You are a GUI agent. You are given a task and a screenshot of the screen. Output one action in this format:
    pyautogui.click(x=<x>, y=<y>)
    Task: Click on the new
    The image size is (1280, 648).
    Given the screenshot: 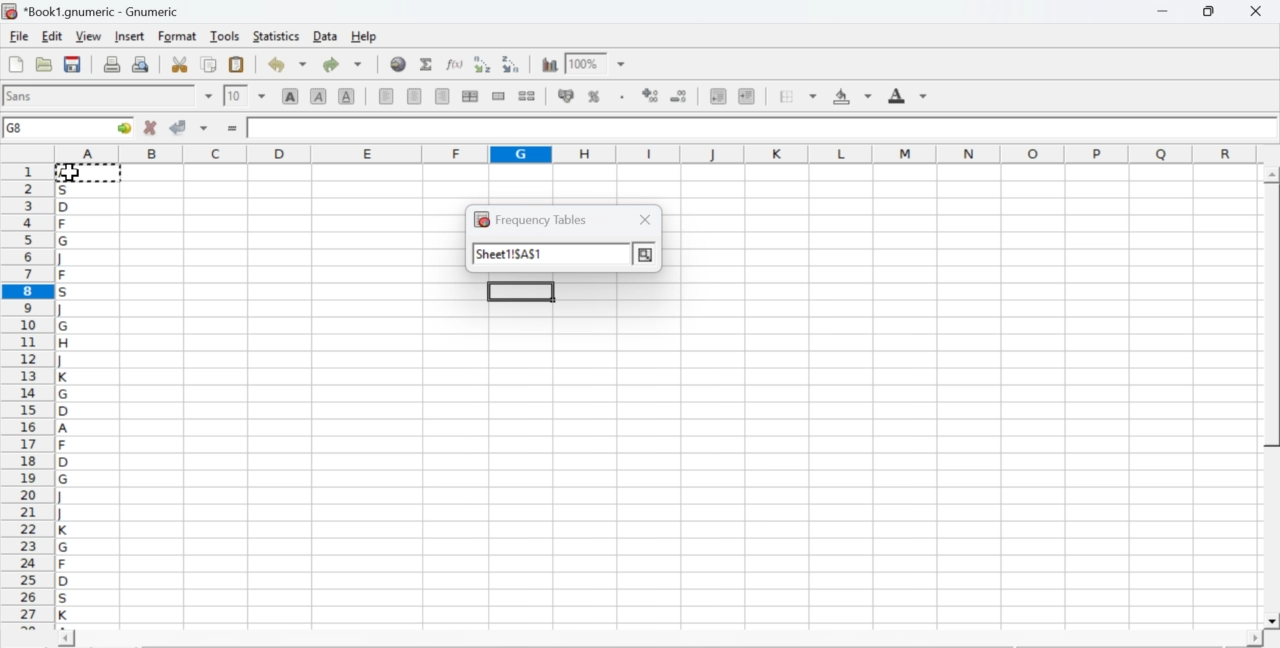 What is the action you would take?
    pyautogui.click(x=15, y=64)
    